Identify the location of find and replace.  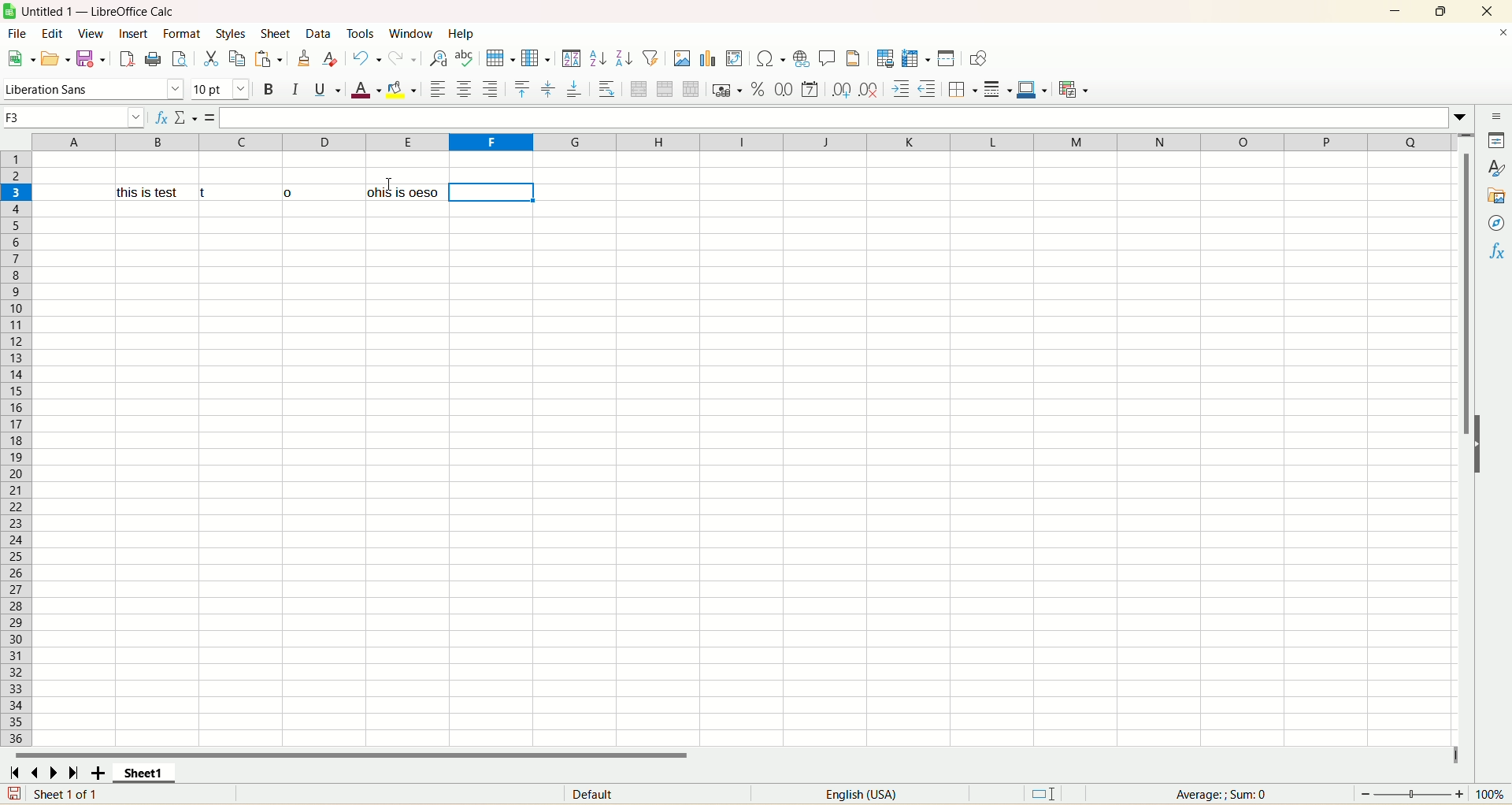
(437, 57).